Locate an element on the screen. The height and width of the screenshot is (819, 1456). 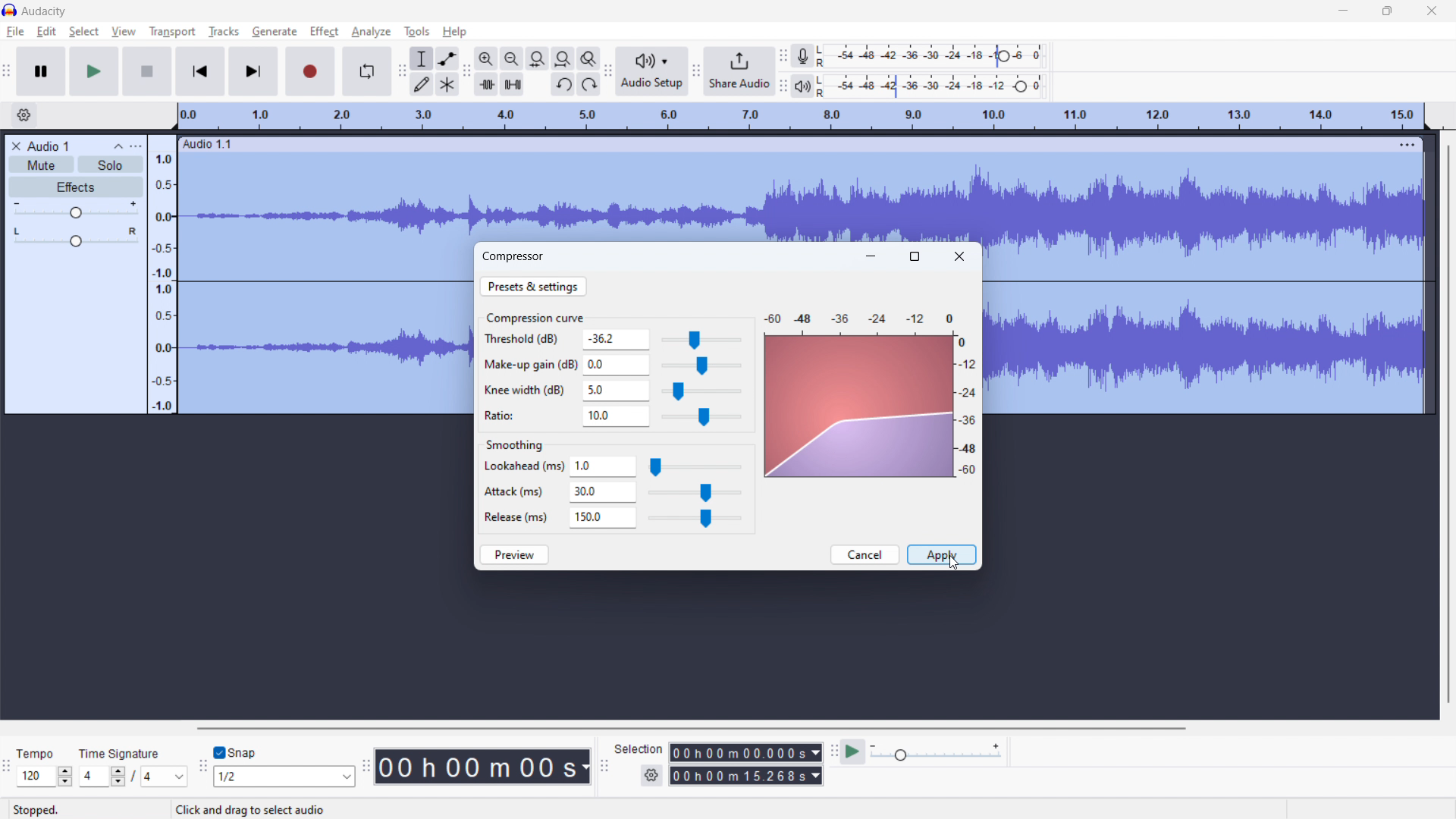
selection toolbar is located at coordinates (604, 766).